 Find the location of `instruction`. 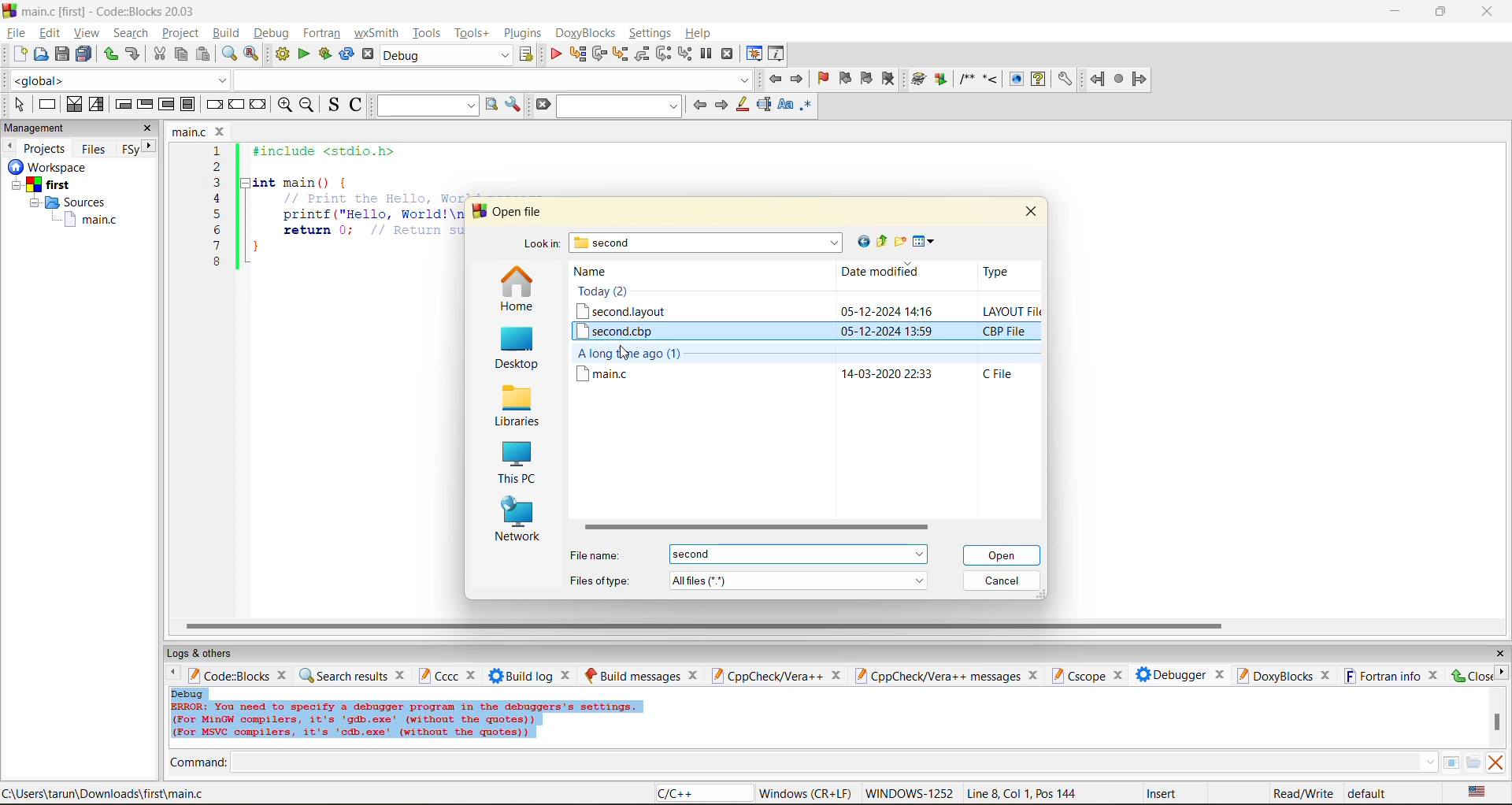

instruction is located at coordinates (46, 105).